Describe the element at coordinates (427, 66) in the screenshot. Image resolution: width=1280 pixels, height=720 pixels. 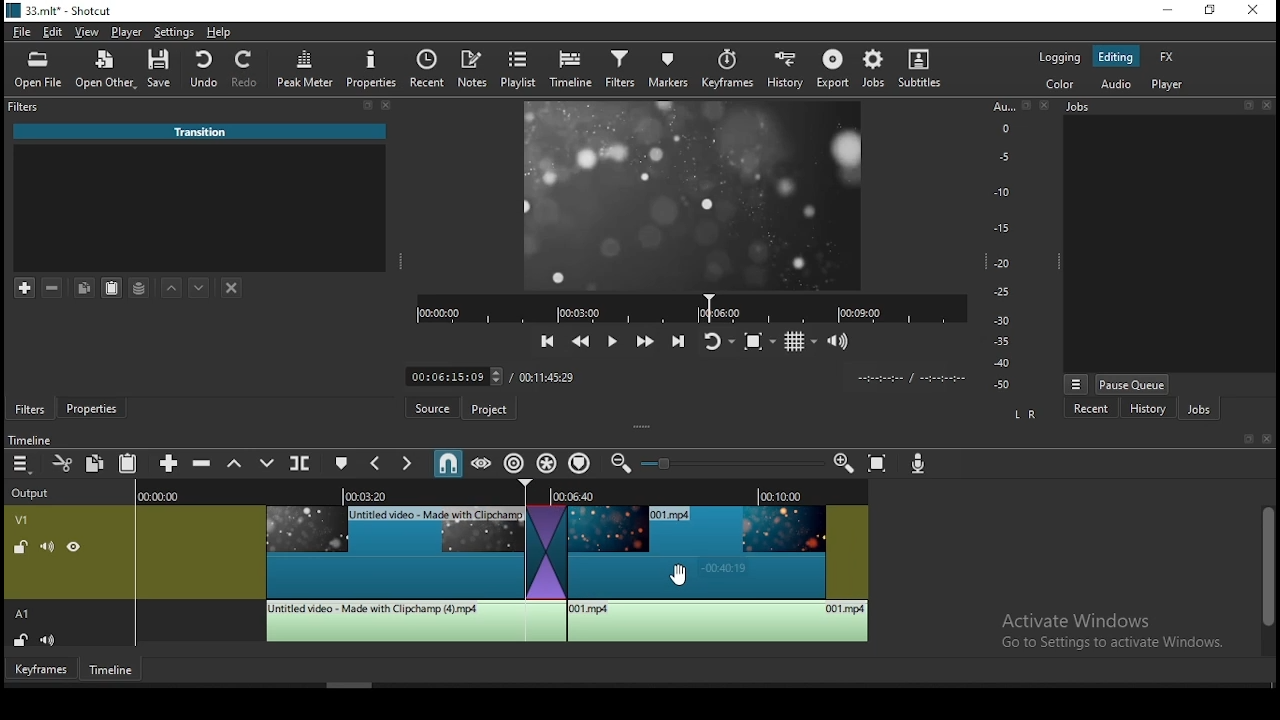
I see `split at playhead` at that location.